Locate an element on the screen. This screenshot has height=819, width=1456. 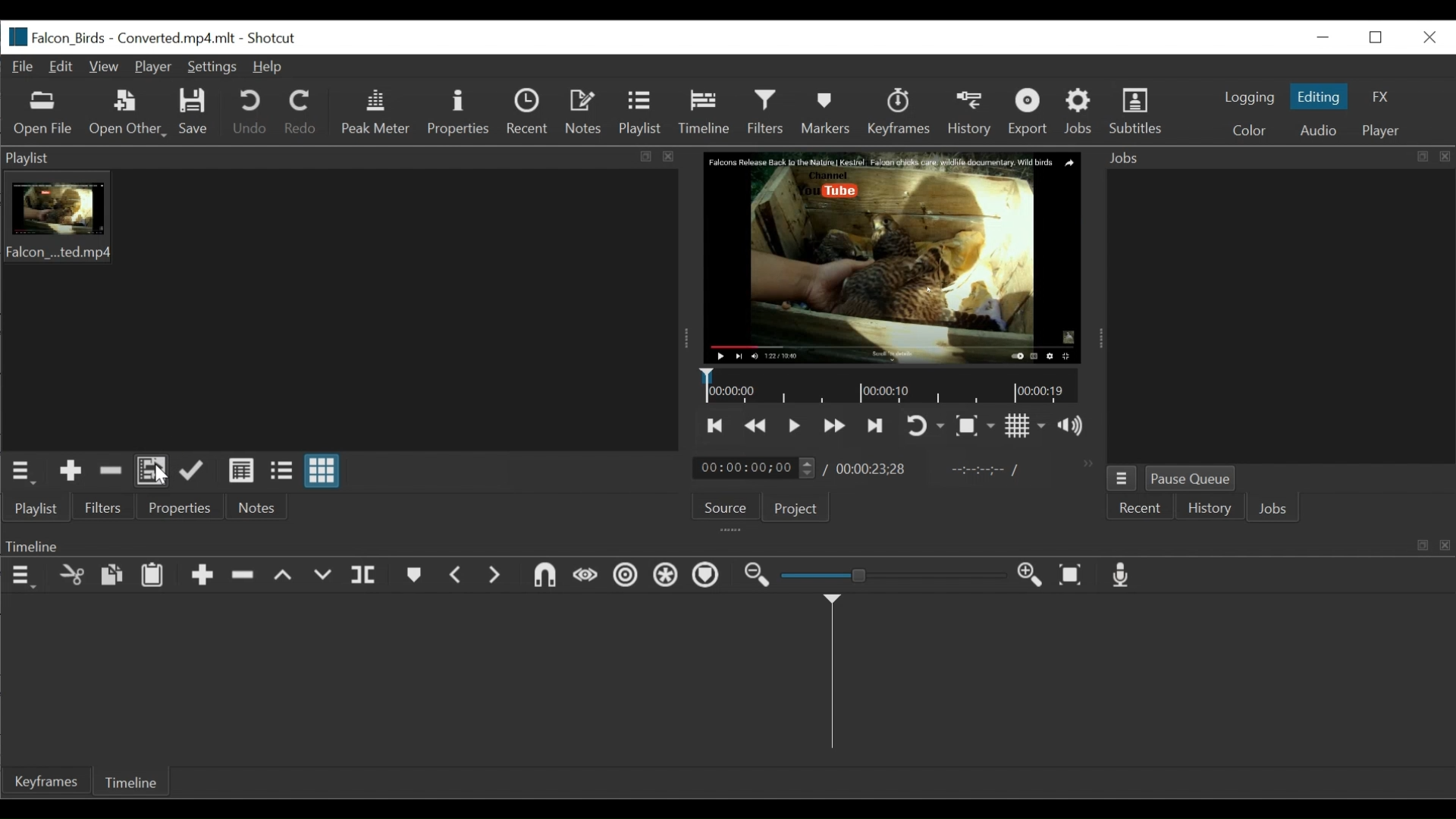
Timeline is located at coordinates (130, 781).